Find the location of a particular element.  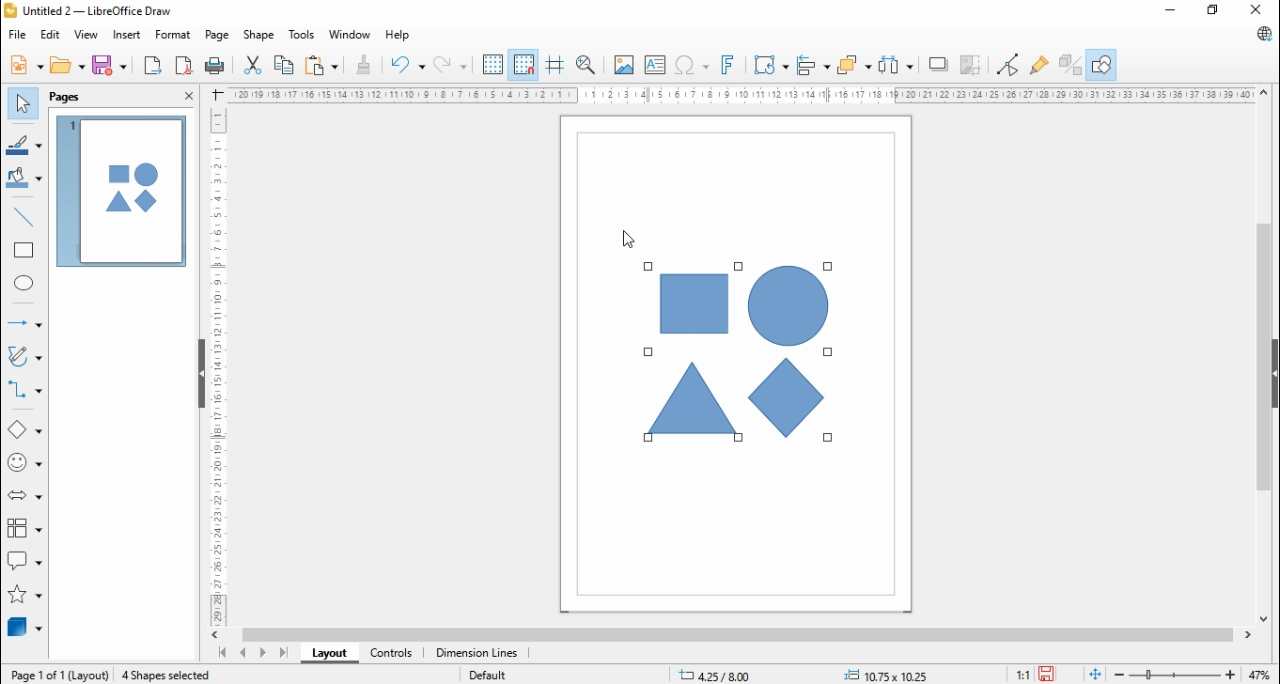

page 1of 1 layout is located at coordinates (58, 673).